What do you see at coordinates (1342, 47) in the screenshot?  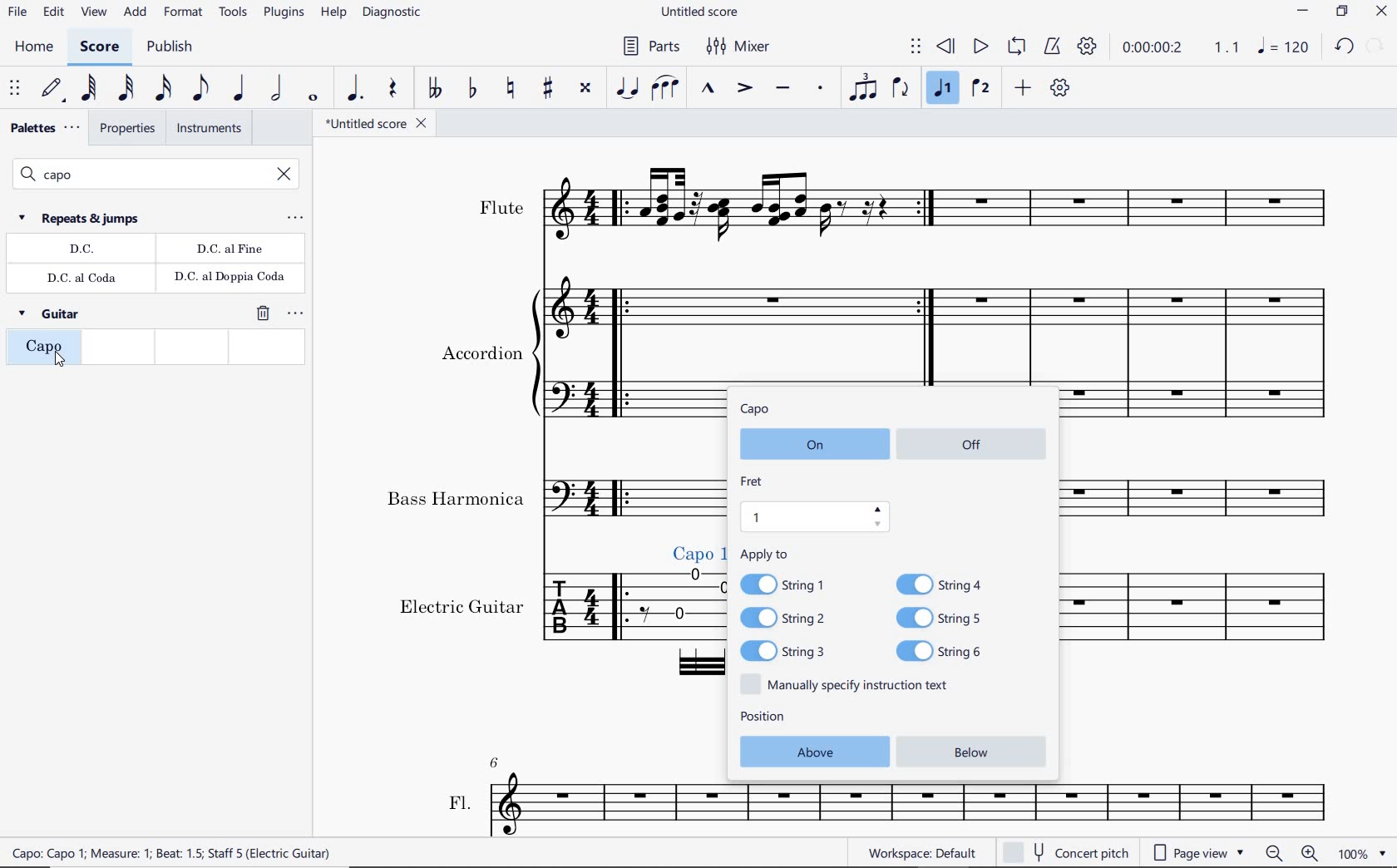 I see `undo` at bounding box center [1342, 47].